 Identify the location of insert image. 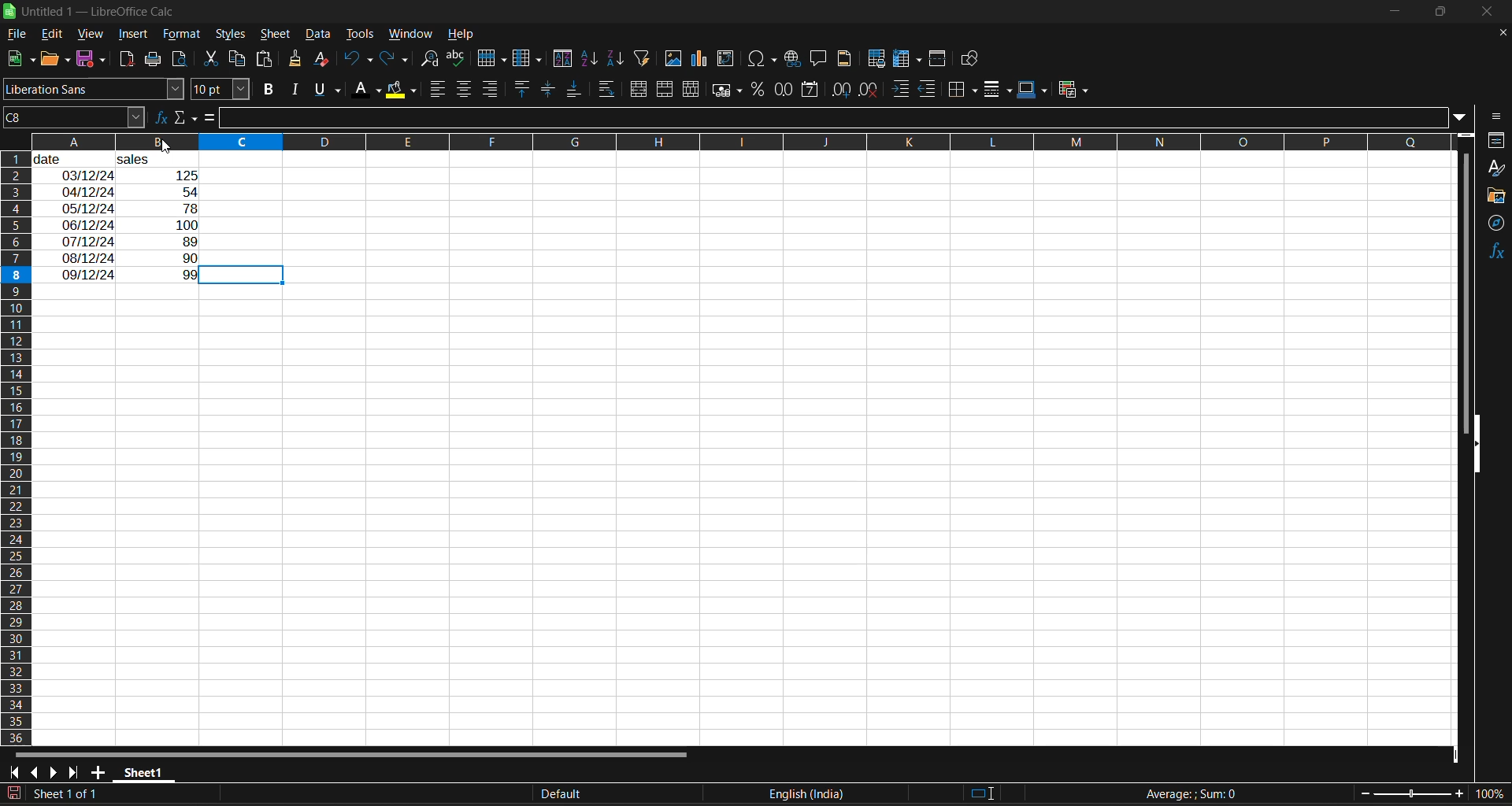
(676, 59).